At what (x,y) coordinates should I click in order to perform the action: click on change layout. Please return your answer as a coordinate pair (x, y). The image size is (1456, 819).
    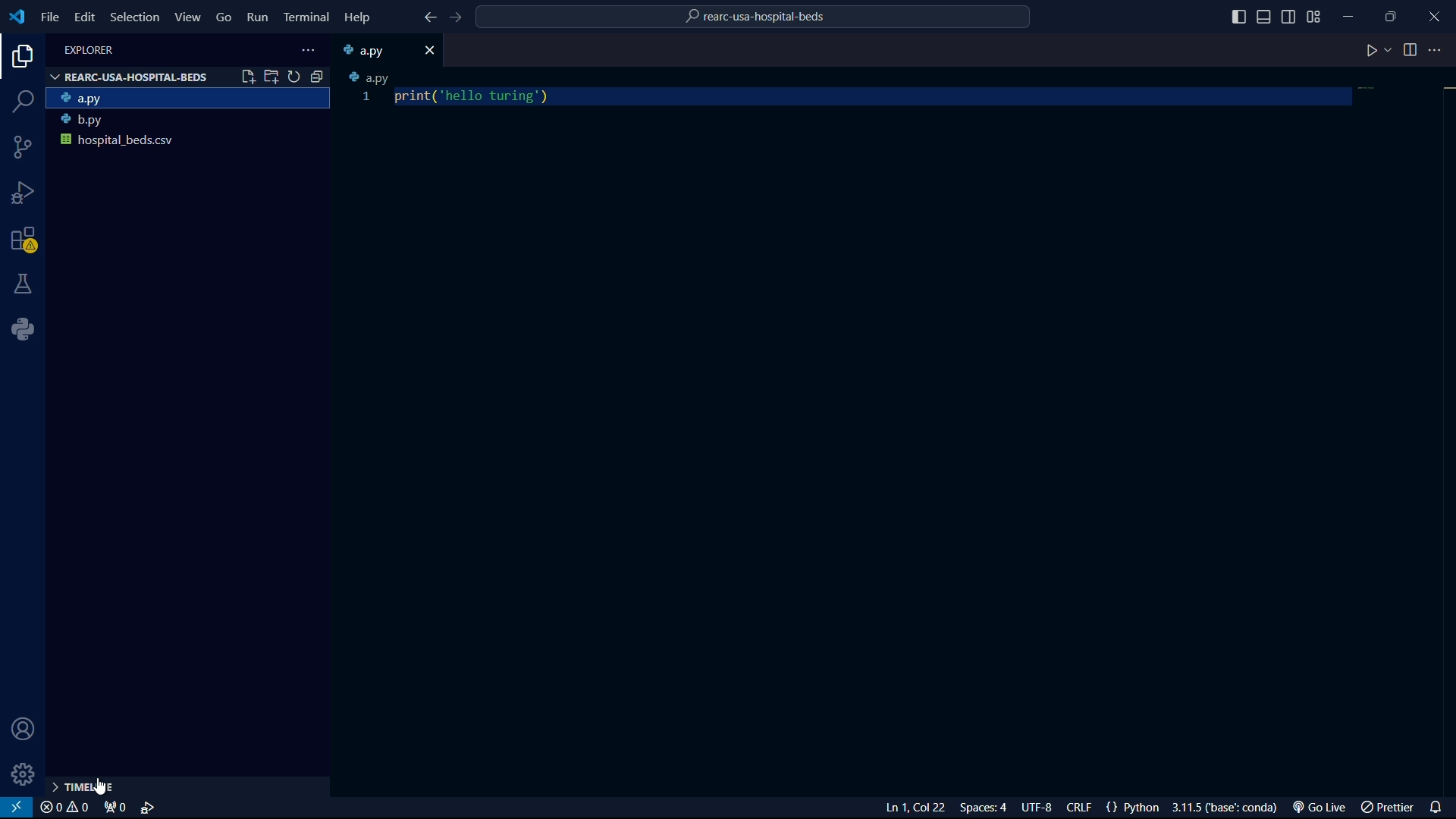
    Looking at the image, I should click on (1316, 16).